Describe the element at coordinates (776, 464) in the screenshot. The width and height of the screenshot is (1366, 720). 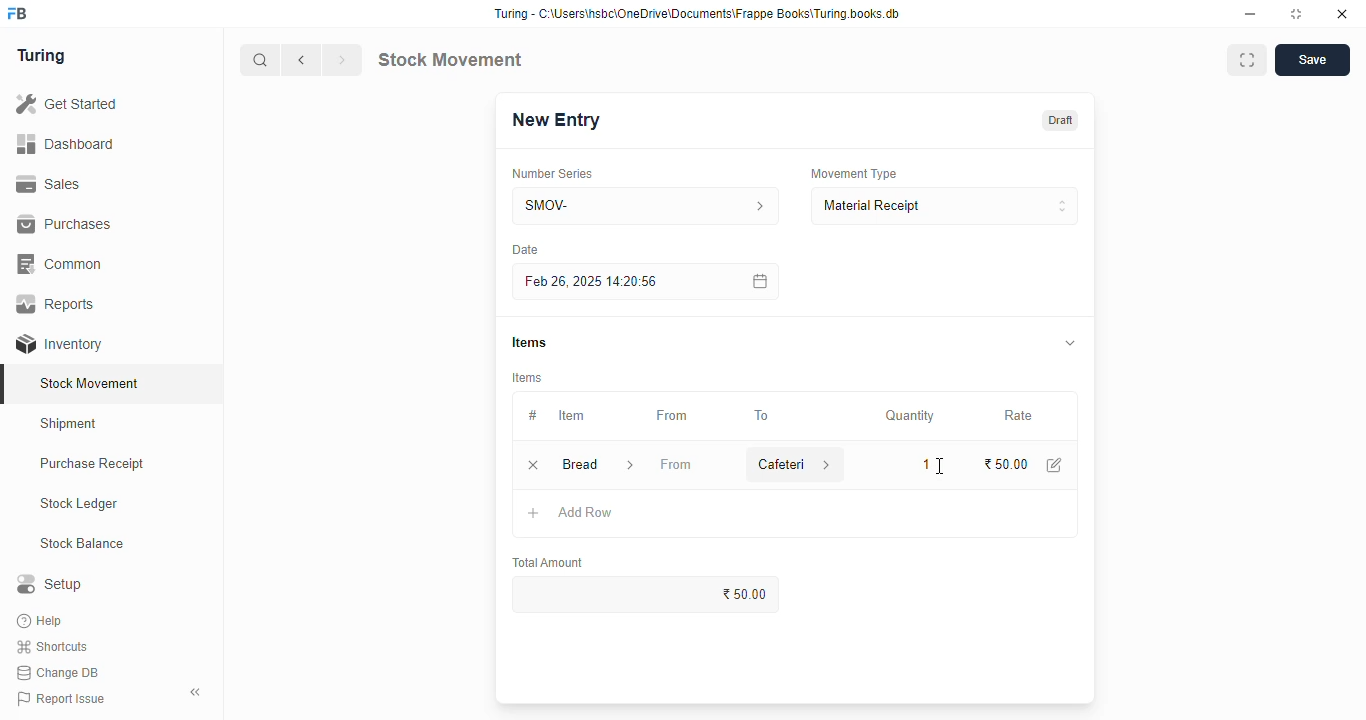
I see `cafeteria` at that location.